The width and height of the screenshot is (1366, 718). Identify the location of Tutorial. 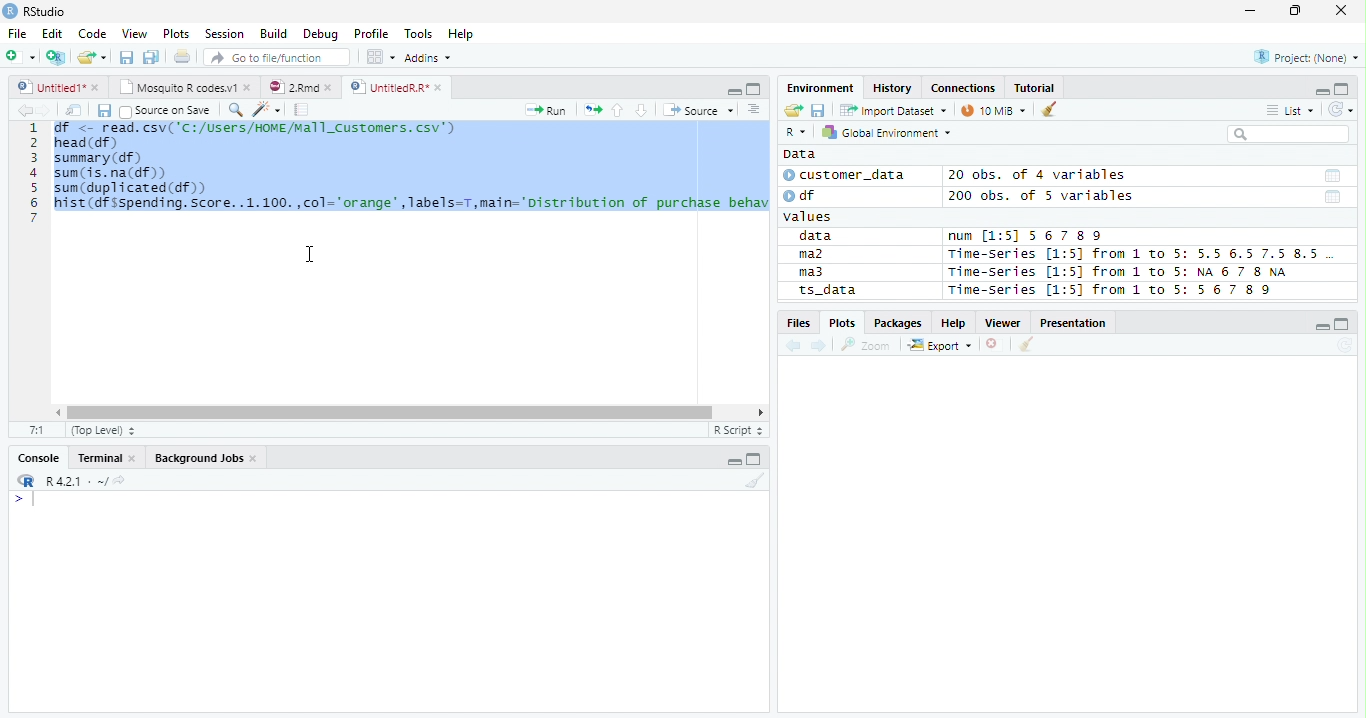
(1035, 87).